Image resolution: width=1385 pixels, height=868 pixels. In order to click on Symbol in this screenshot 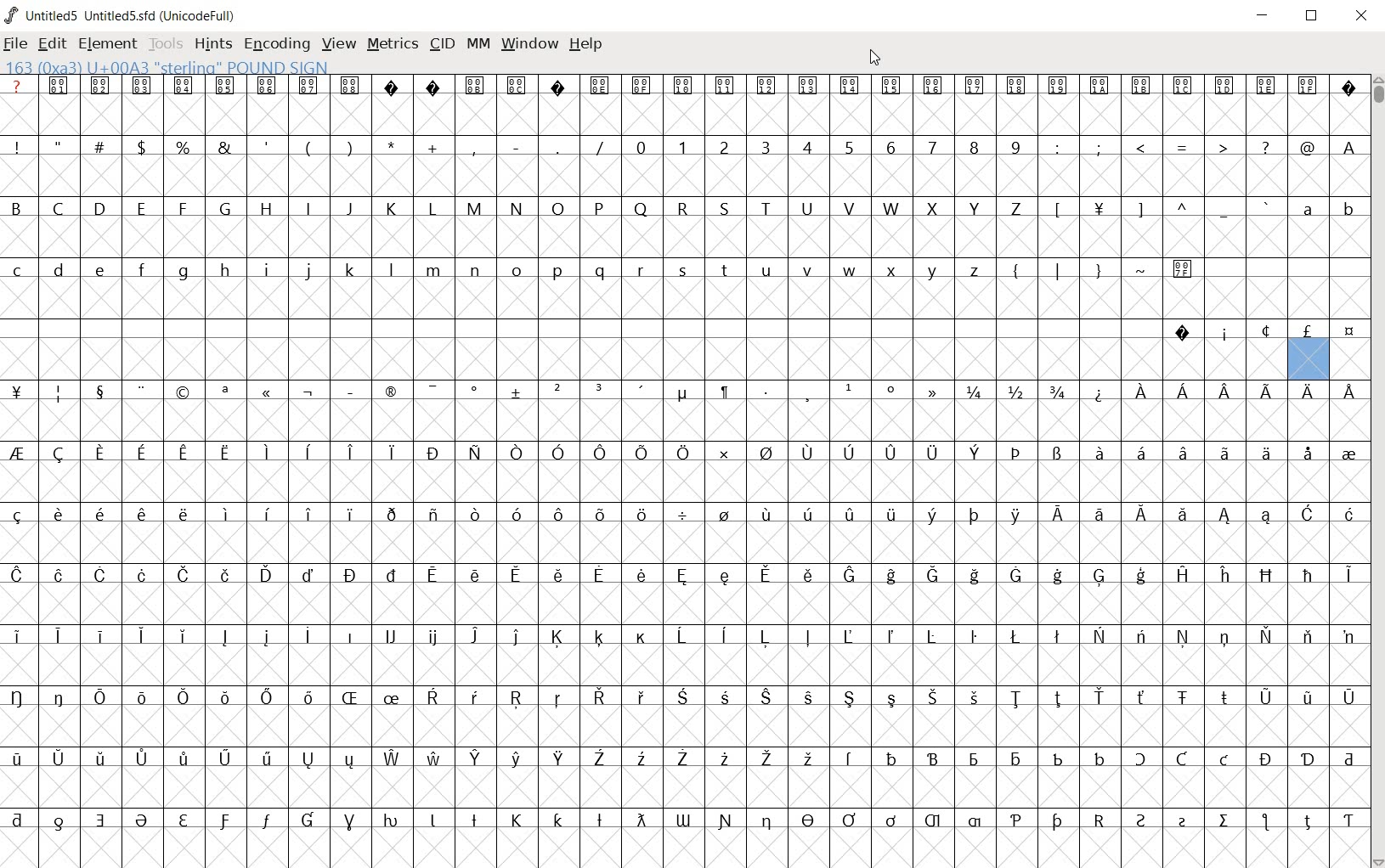, I will do `click(724, 759)`.